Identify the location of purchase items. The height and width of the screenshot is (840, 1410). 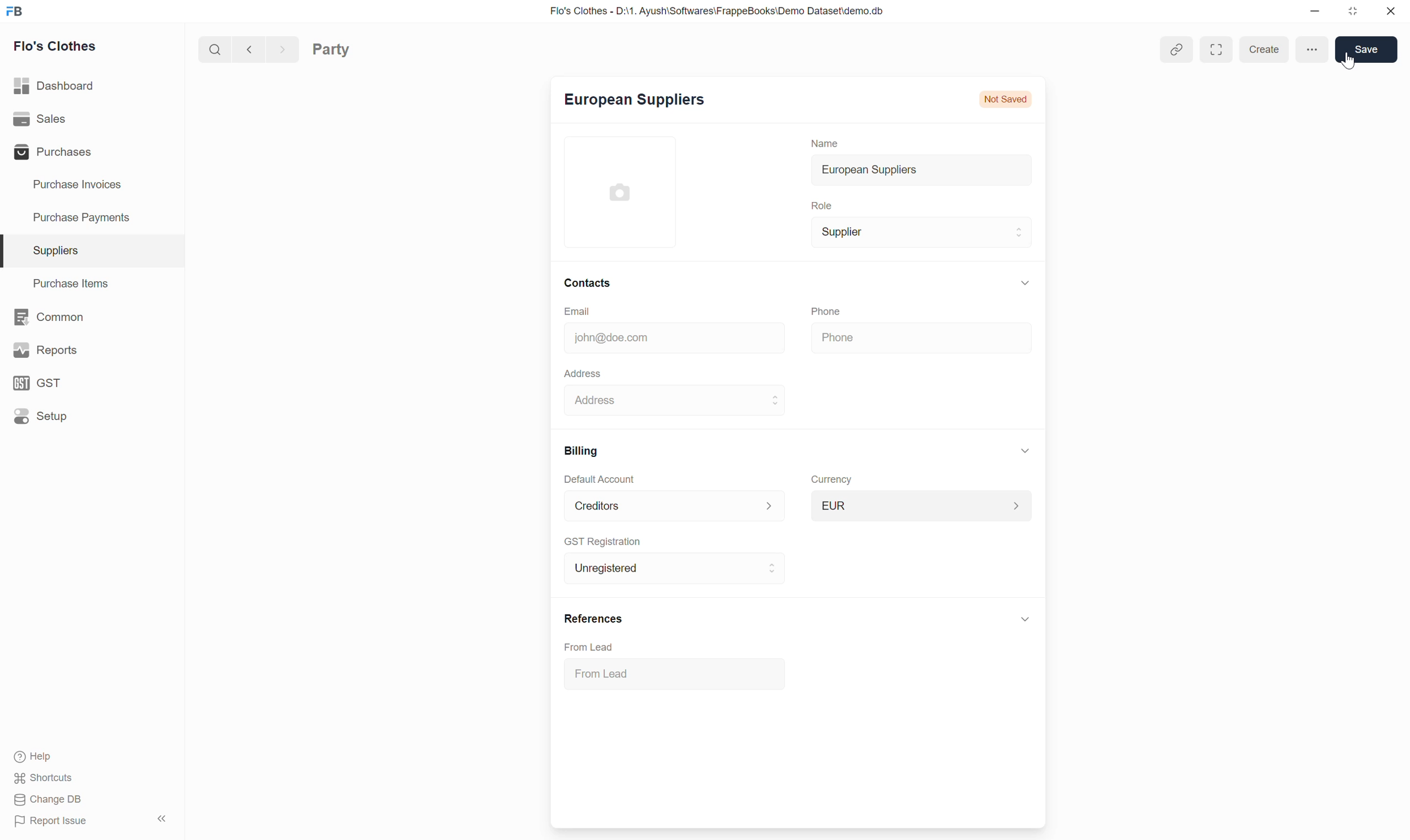
(75, 284).